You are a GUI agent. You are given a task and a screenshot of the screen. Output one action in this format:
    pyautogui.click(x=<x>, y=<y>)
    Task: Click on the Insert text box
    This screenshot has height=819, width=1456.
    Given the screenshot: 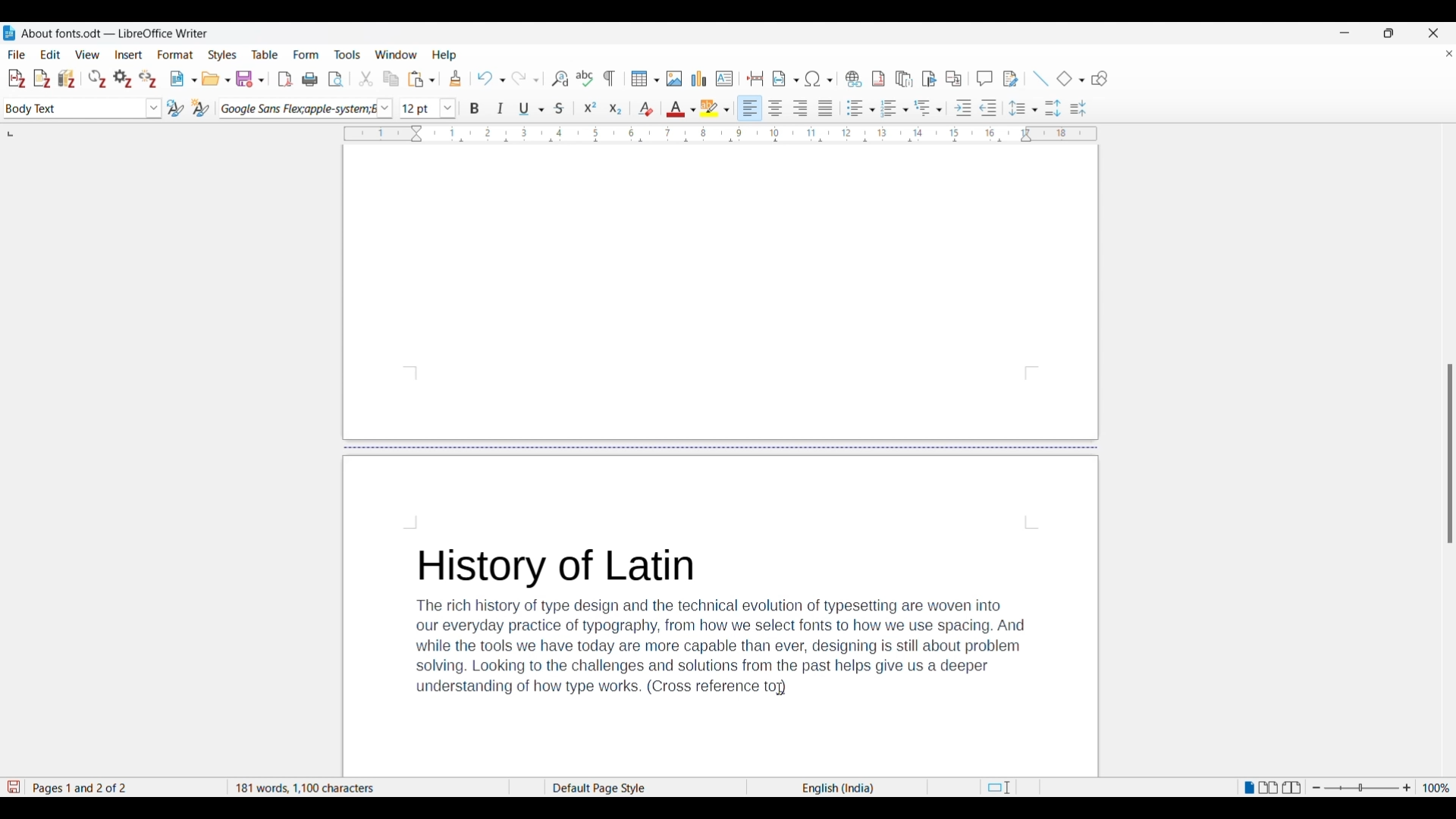 What is the action you would take?
    pyautogui.click(x=725, y=79)
    